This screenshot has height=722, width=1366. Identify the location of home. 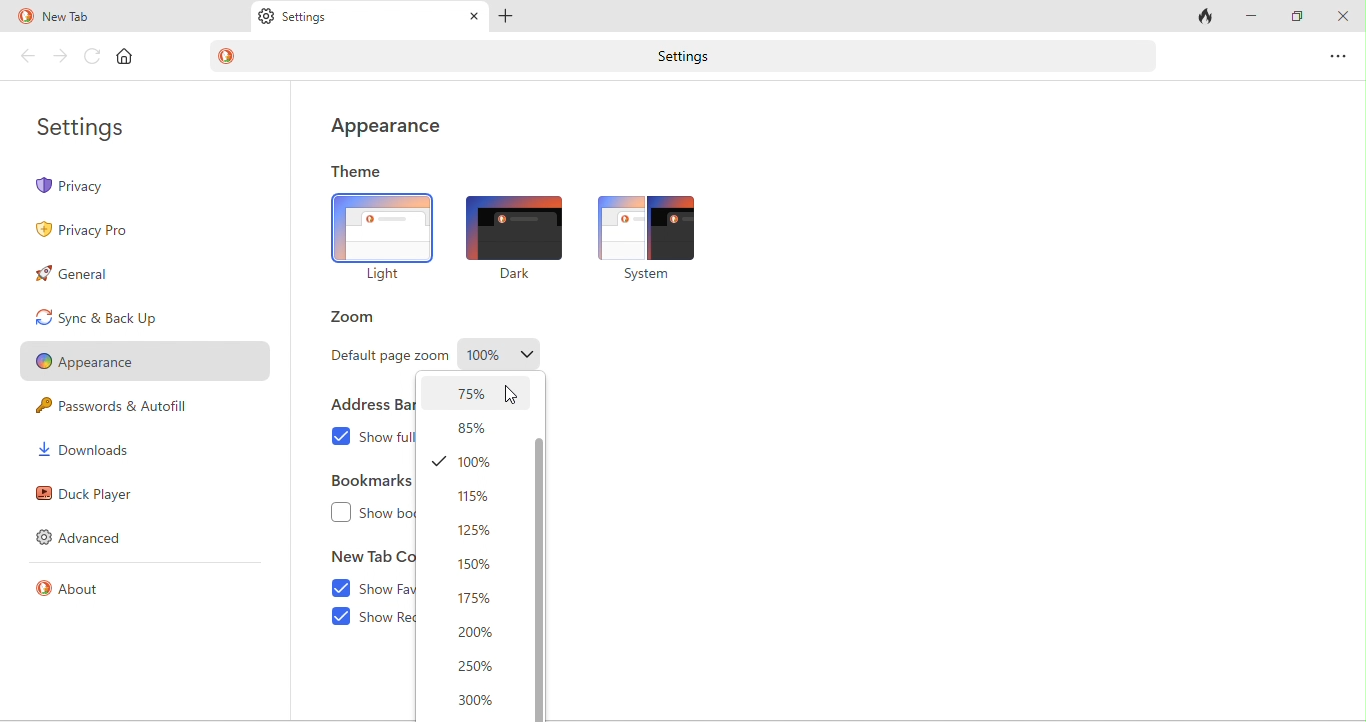
(126, 57).